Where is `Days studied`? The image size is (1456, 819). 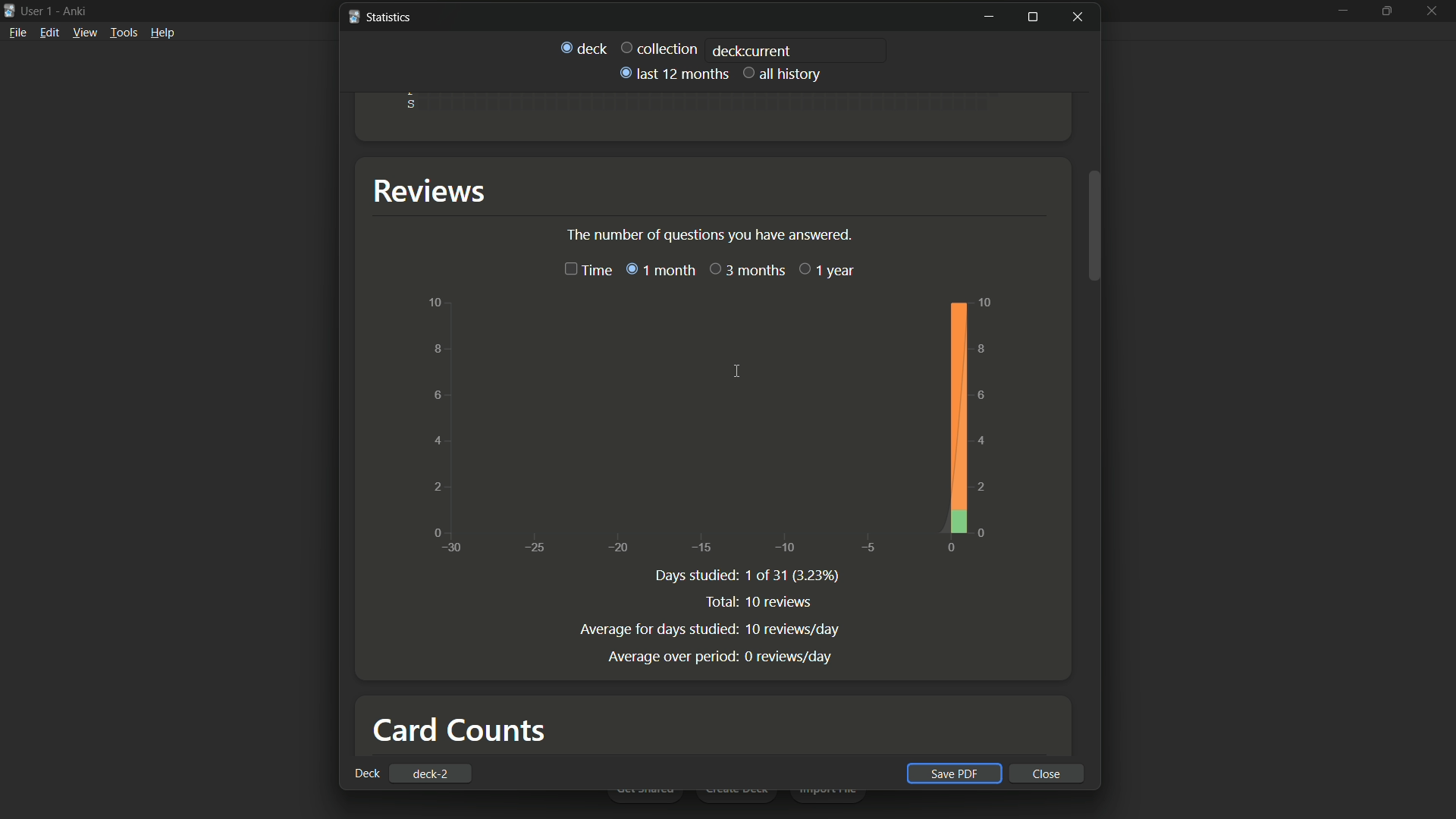
Days studied is located at coordinates (693, 576).